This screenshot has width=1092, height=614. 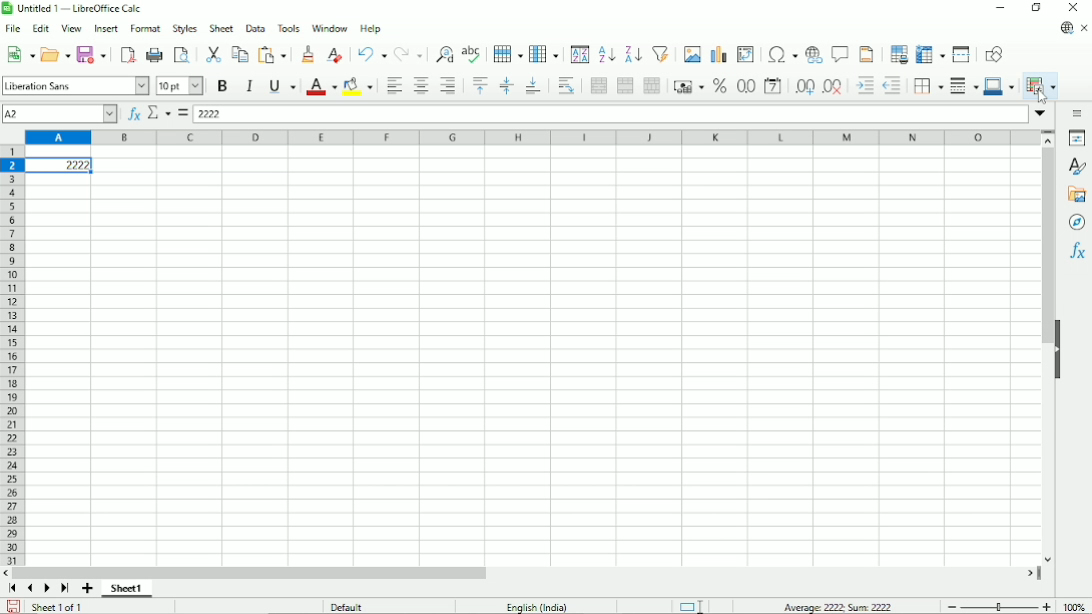 What do you see at coordinates (31, 589) in the screenshot?
I see `Scroll to previous sheet` at bounding box center [31, 589].